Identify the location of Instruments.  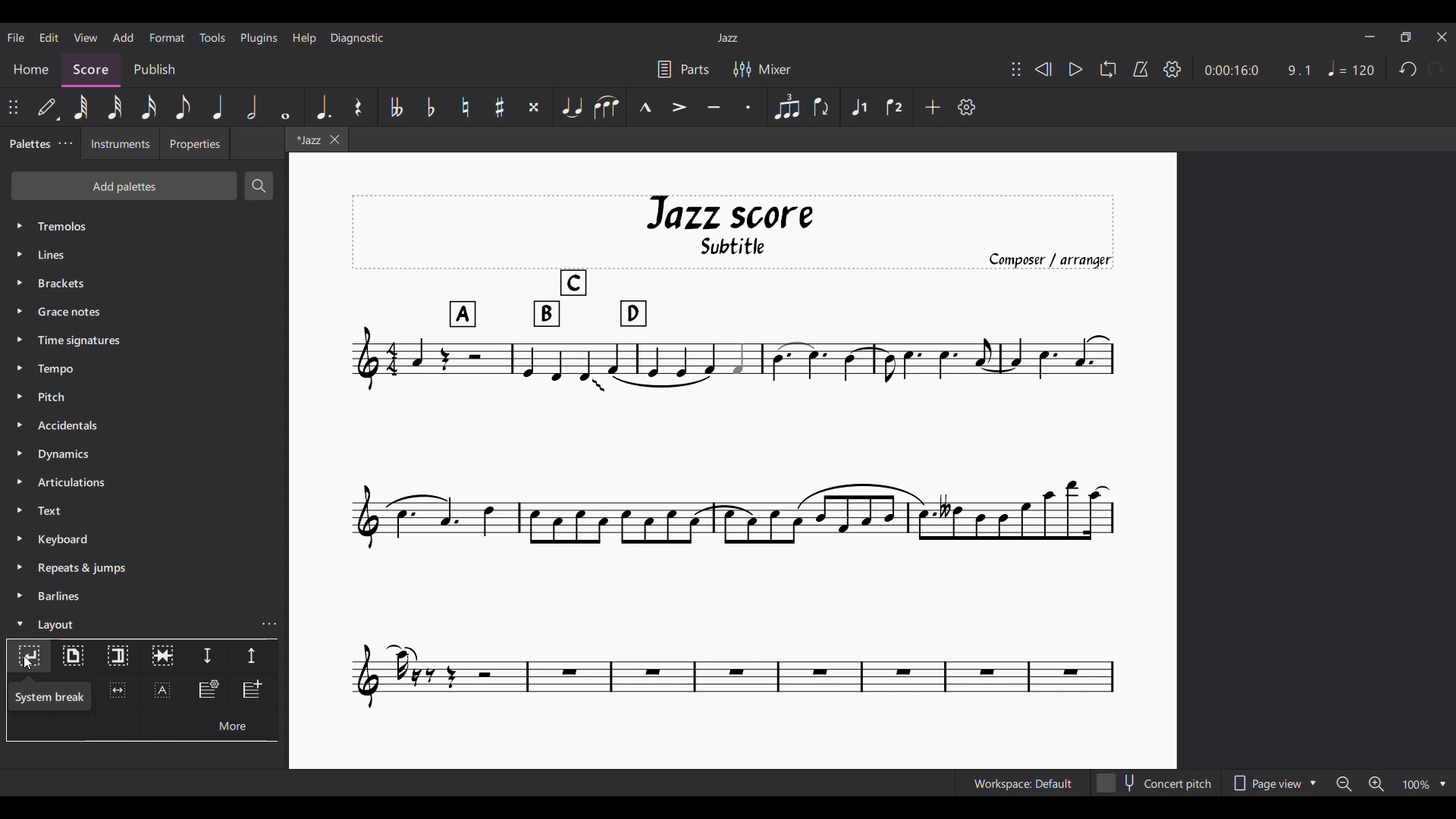
(121, 143).